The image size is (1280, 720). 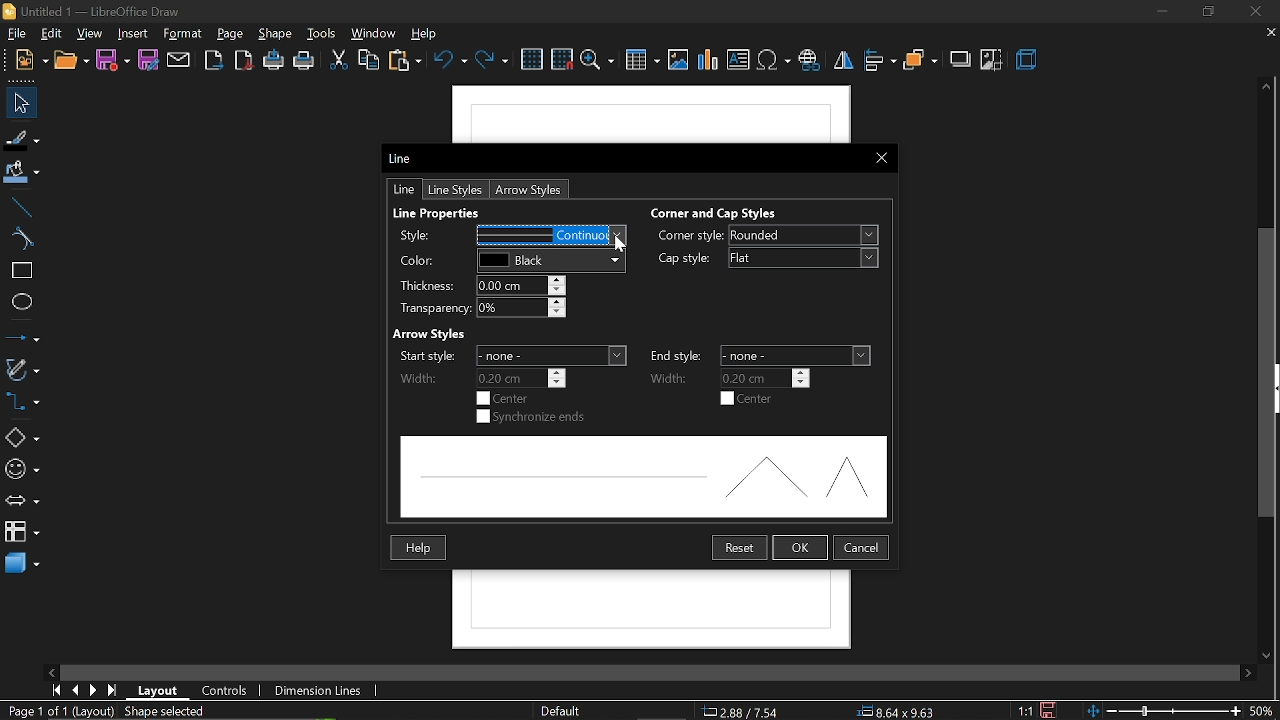 I want to click on start width, so click(x=512, y=354).